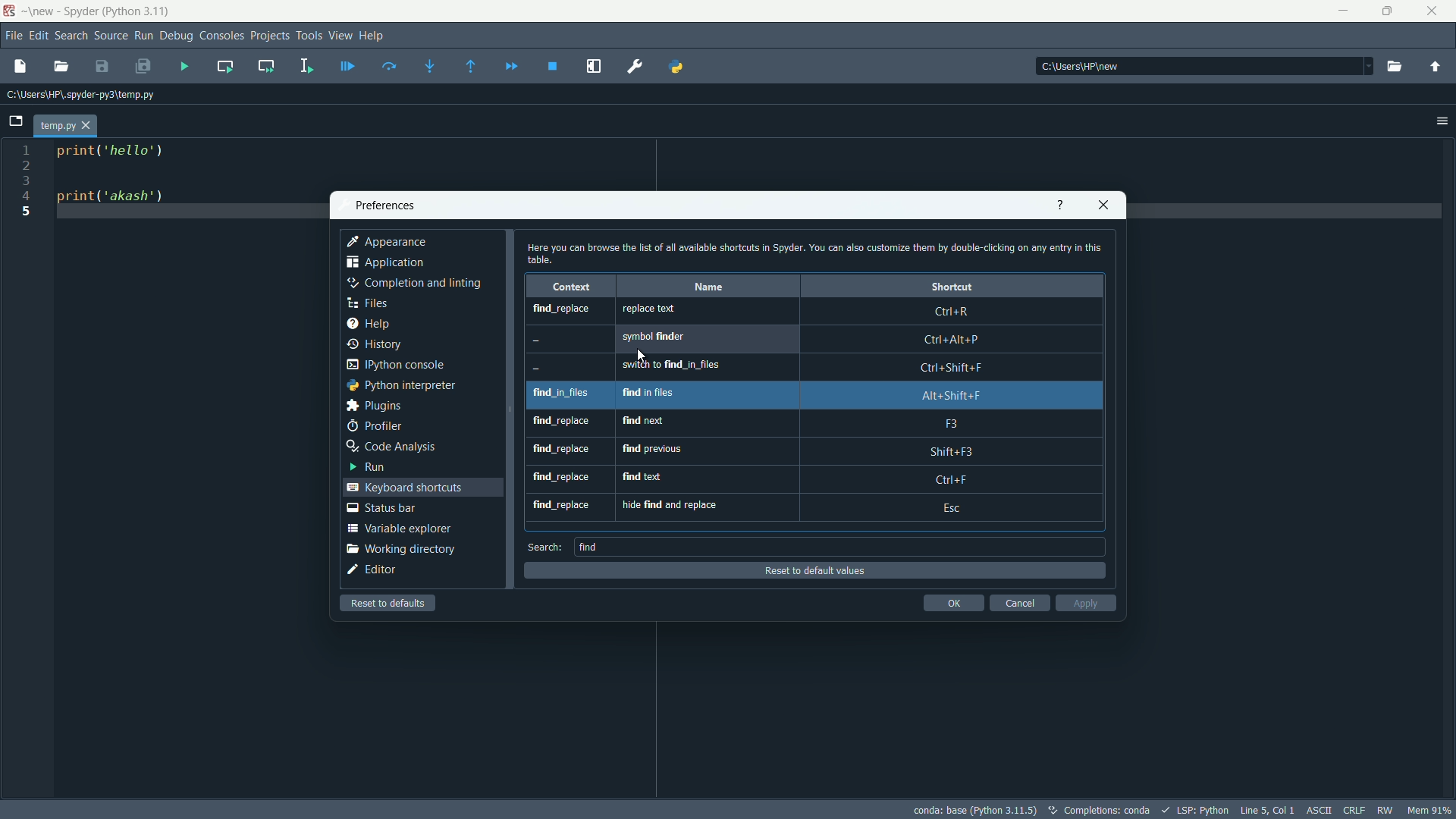  What do you see at coordinates (575, 287) in the screenshot?
I see `context column` at bounding box center [575, 287].